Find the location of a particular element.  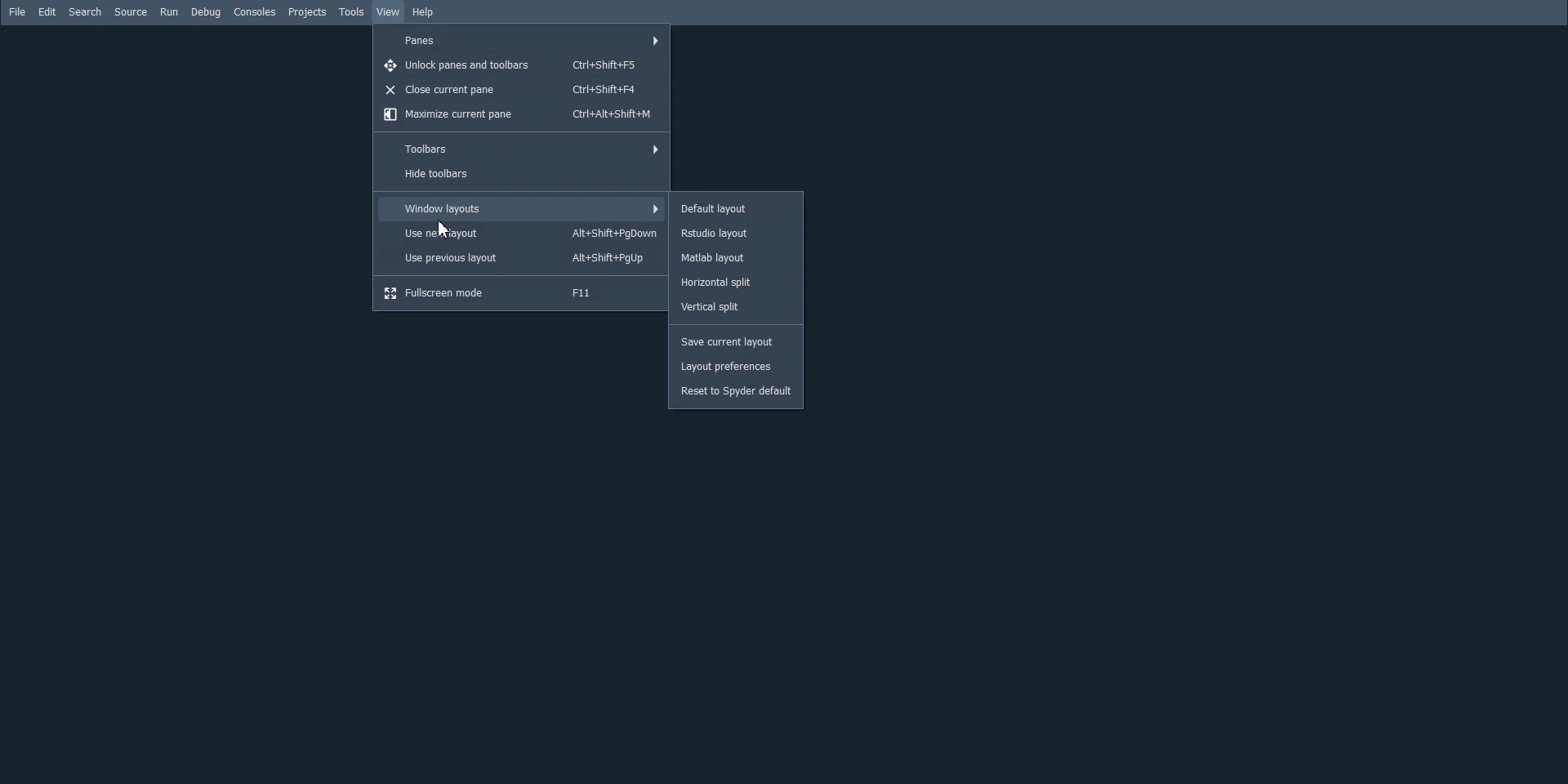

Edit is located at coordinates (47, 11).